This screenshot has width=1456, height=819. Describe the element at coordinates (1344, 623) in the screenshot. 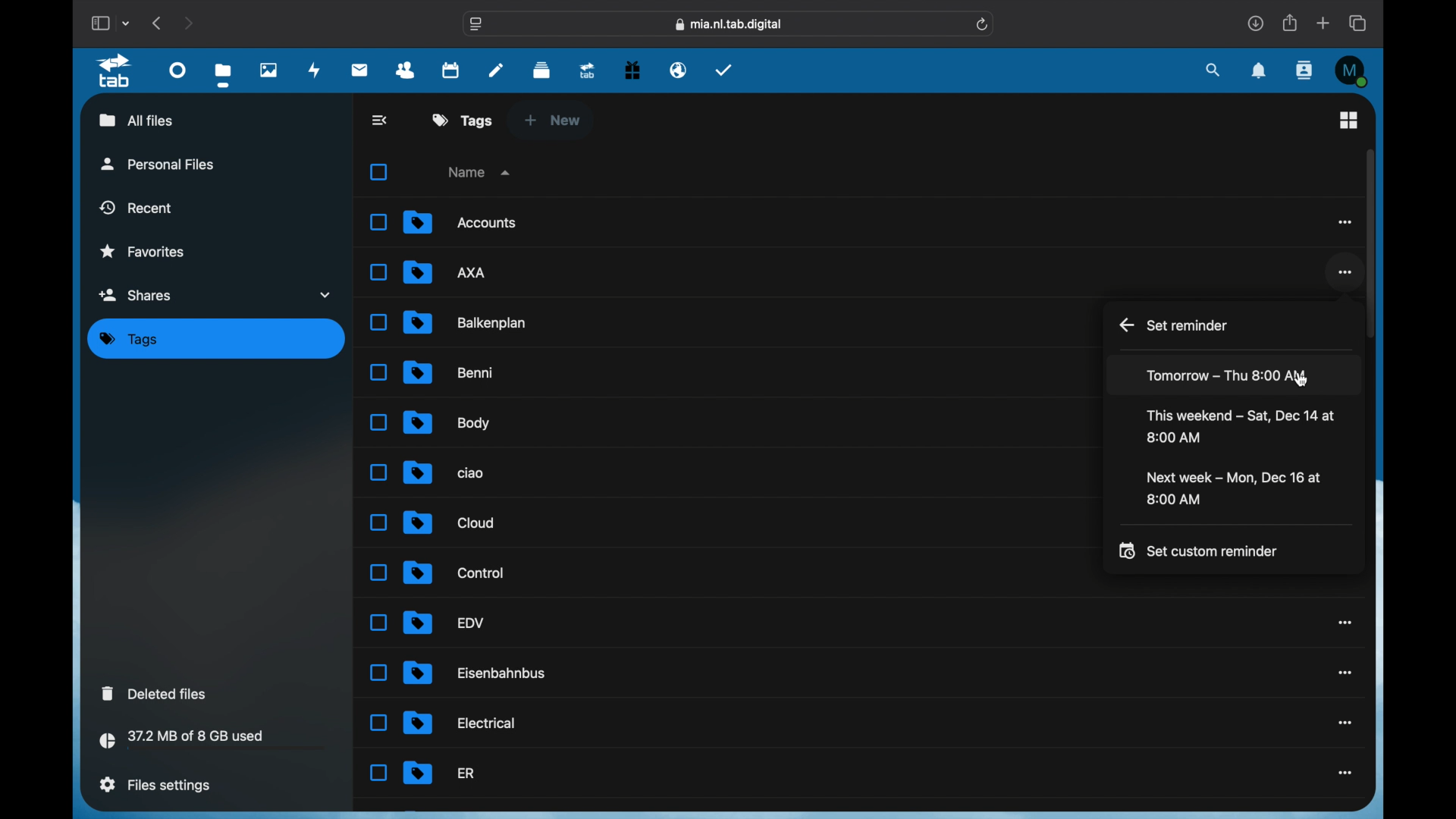

I see `more options` at that location.